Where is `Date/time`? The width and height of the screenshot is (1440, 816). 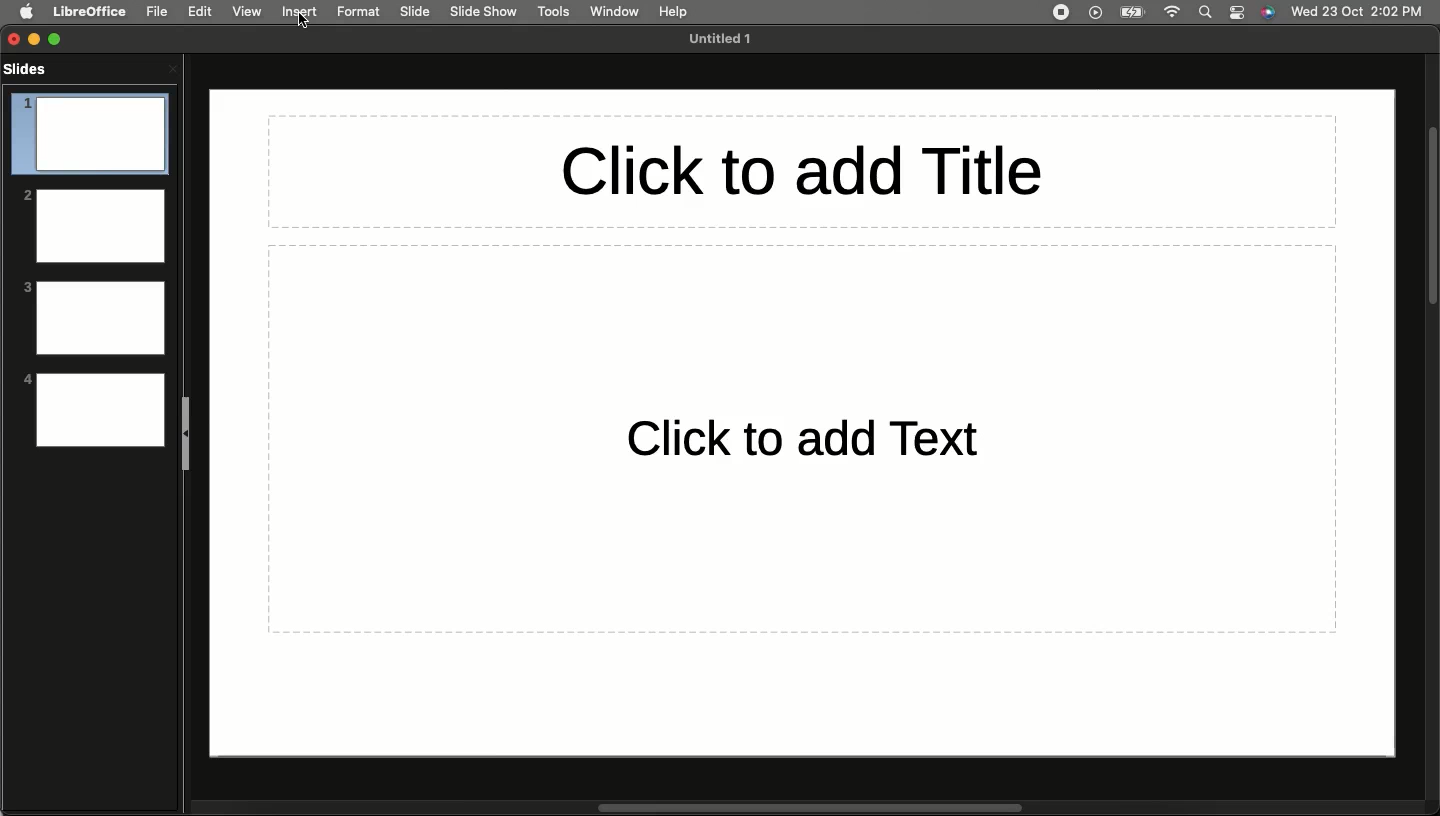
Date/time is located at coordinates (1357, 10).